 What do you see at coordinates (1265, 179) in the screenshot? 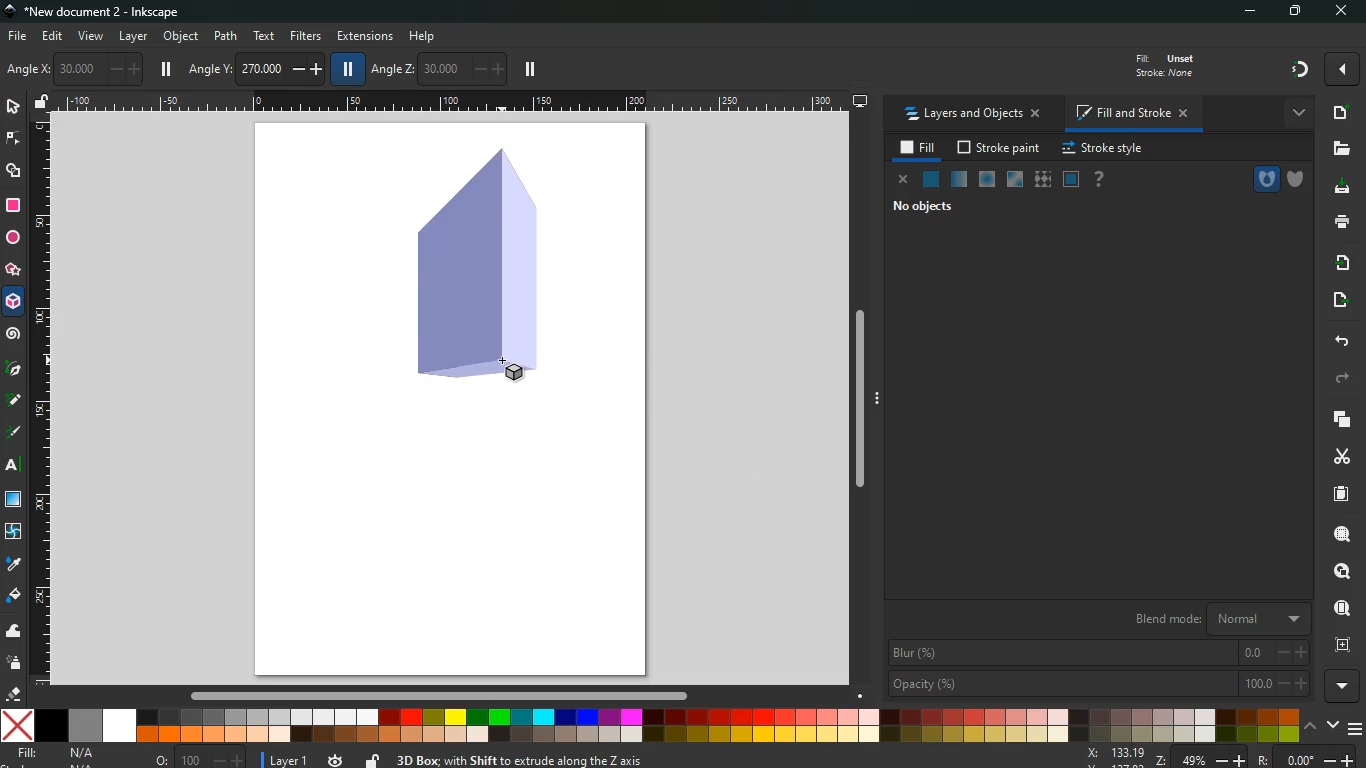
I see `hole` at bounding box center [1265, 179].